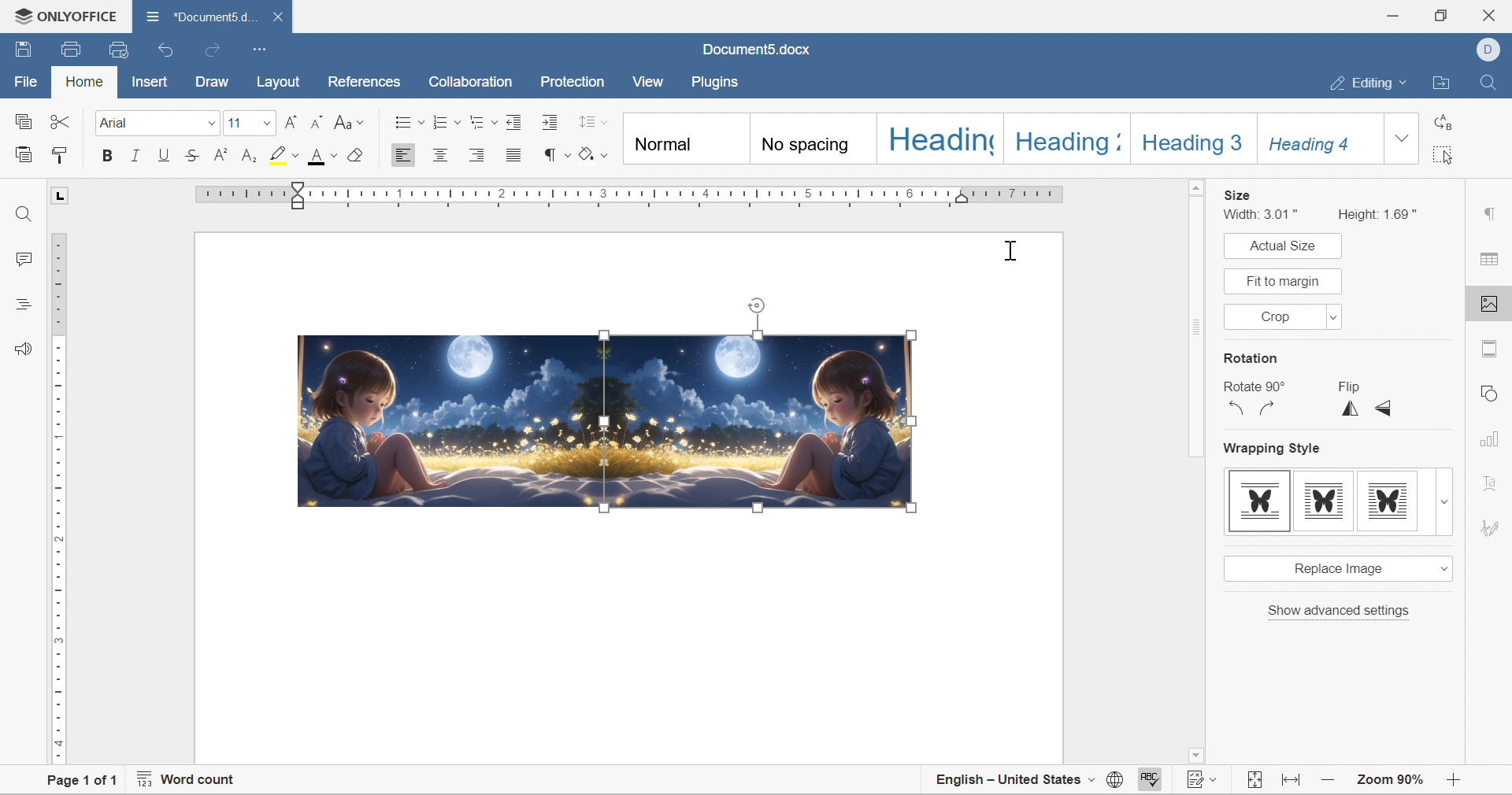 Image resolution: width=1512 pixels, height=795 pixels. What do you see at coordinates (355, 154) in the screenshot?
I see `clear style` at bounding box center [355, 154].